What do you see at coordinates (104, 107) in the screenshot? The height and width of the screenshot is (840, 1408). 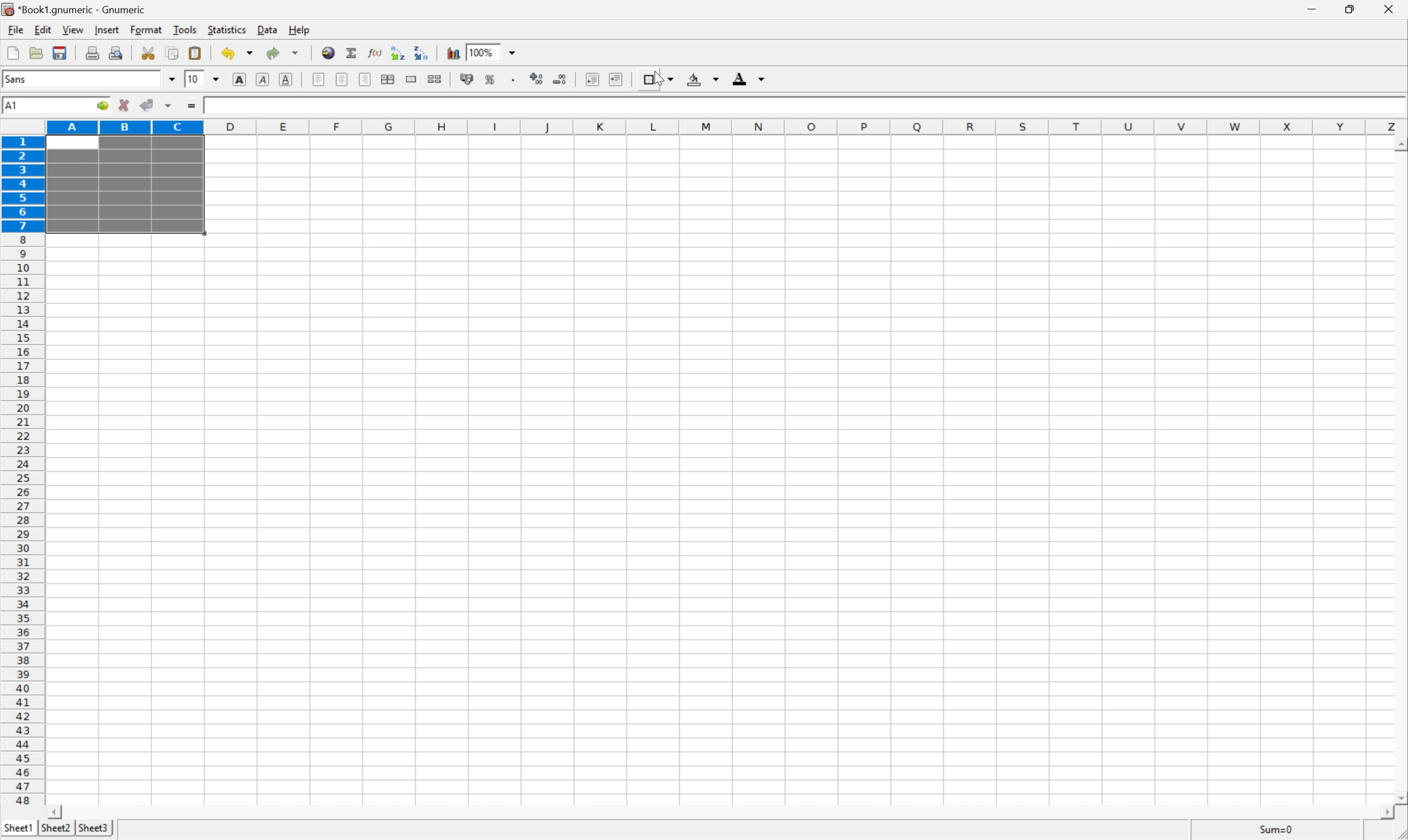 I see `go to` at bounding box center [104, 107].